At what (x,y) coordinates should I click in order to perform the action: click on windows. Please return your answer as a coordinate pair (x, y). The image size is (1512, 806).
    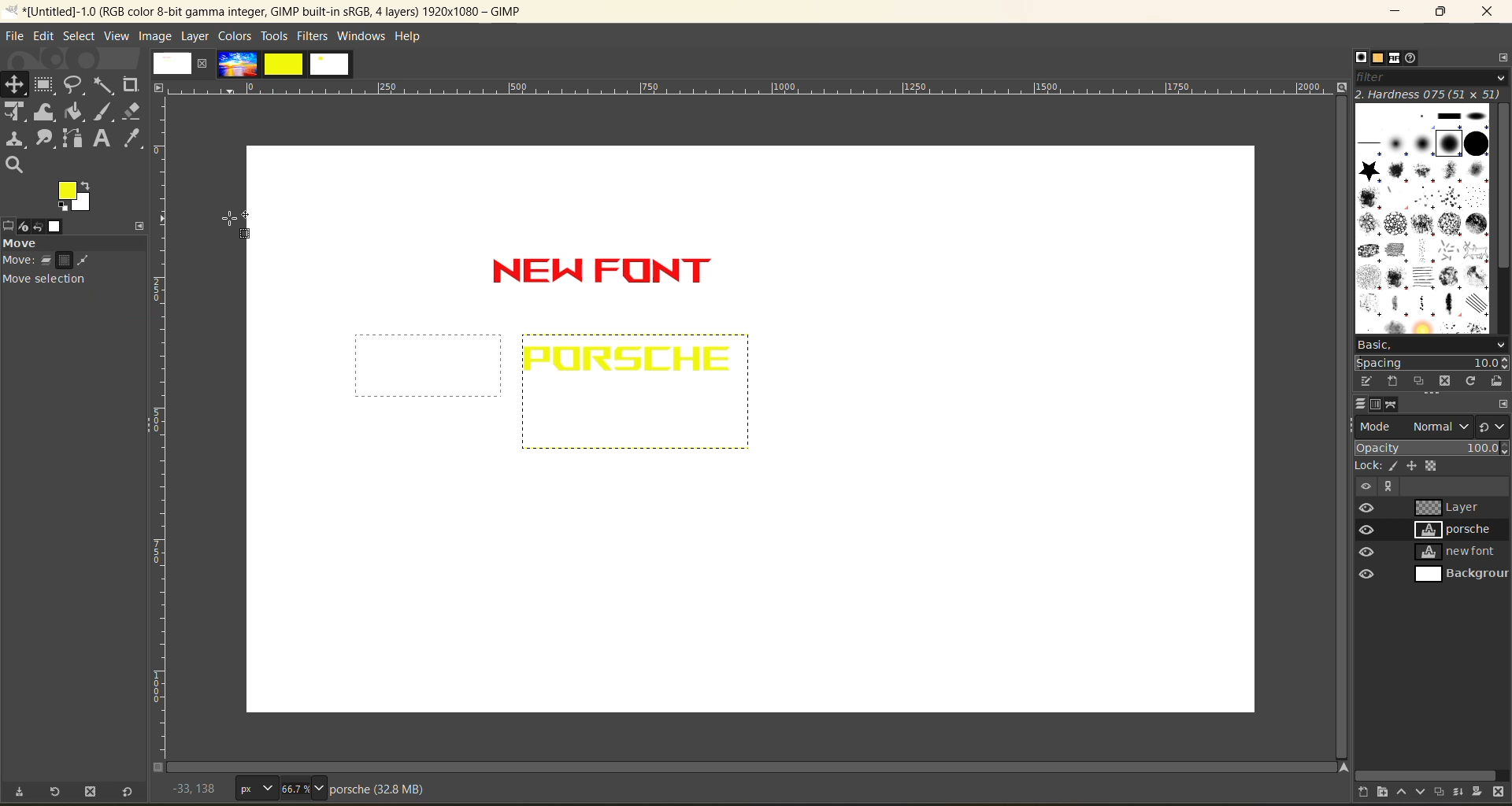
    Looking at the image, I should click on (360, 37).